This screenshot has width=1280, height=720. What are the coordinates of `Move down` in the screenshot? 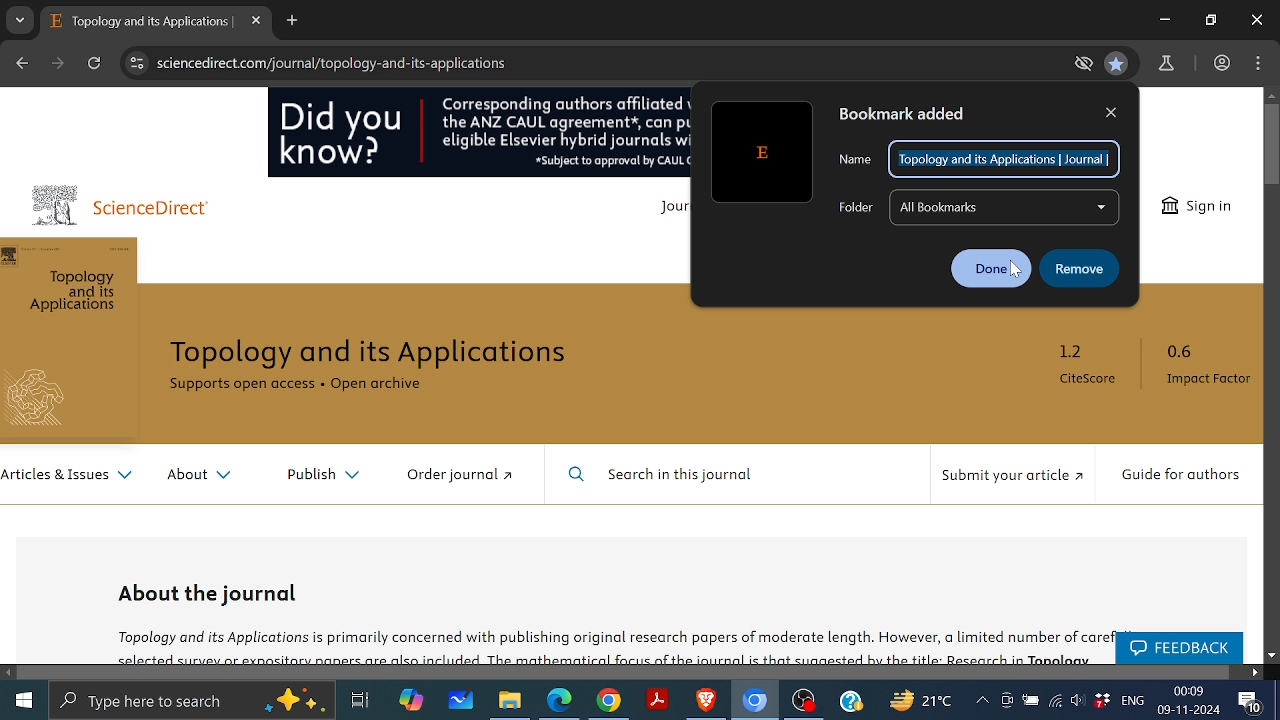 It's located at (1272, 656).